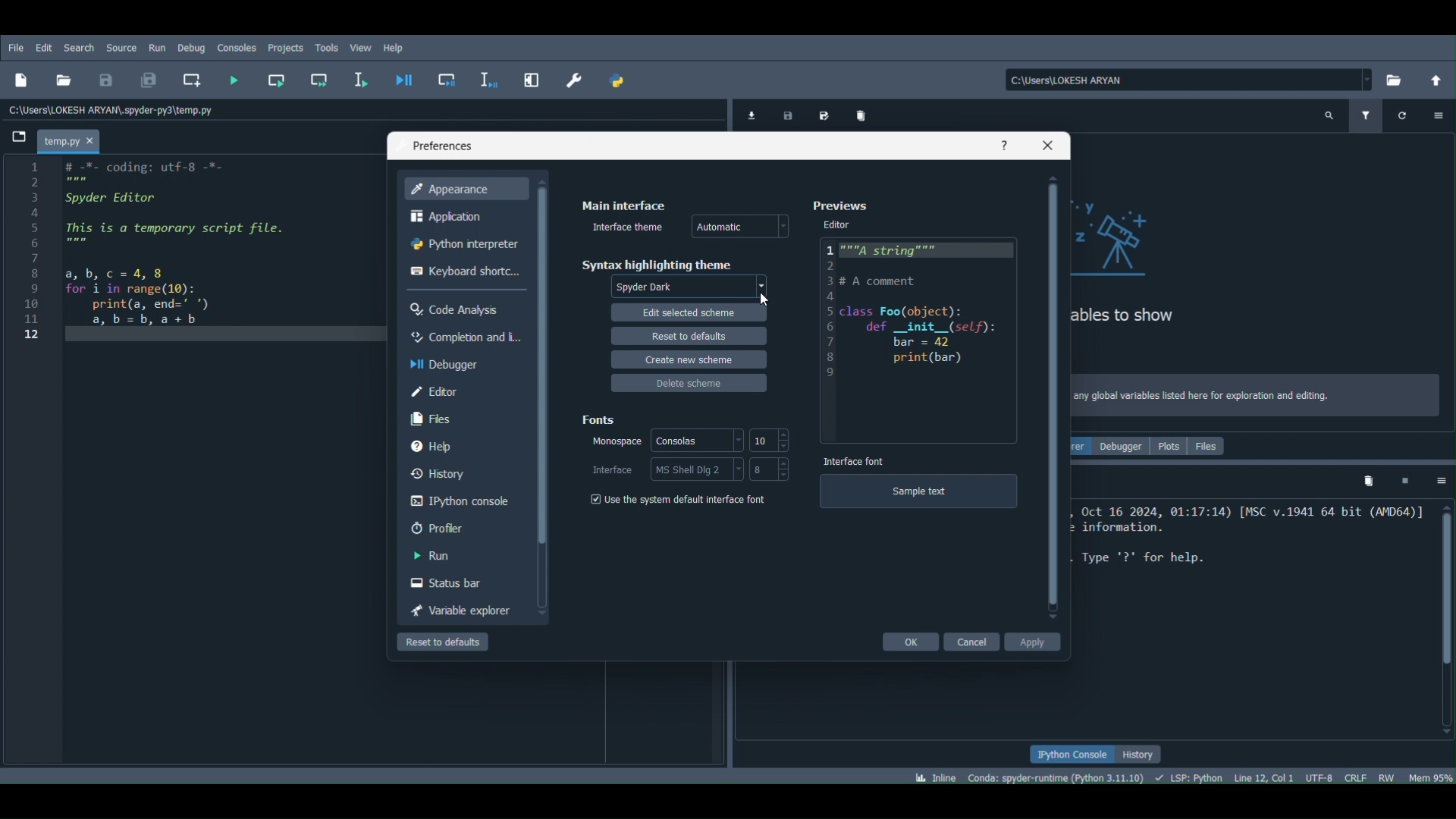  What do you see at coordinates (922, 334) in the screenshot?
I see `Code ` at bounding box center [922, 334].